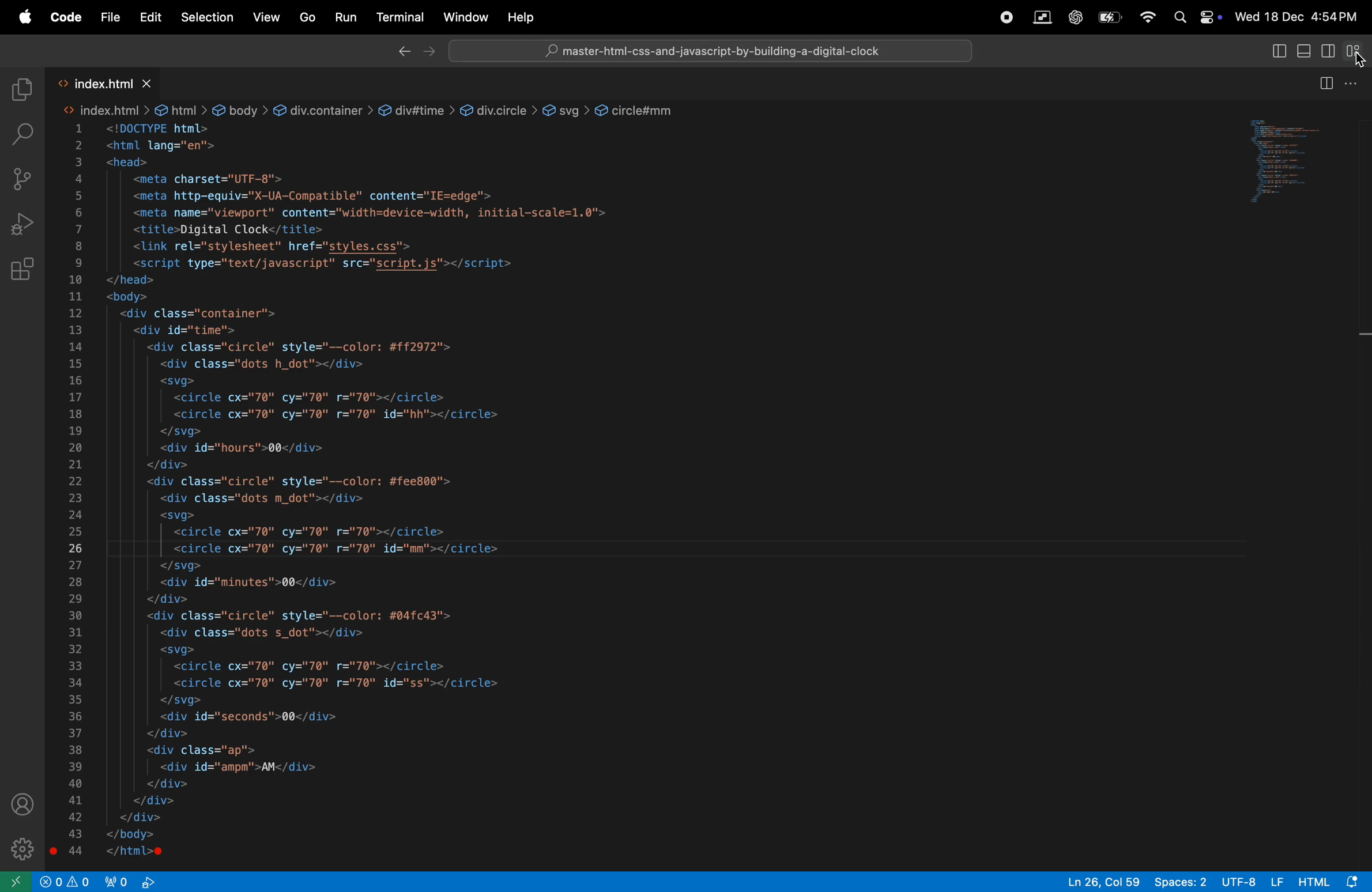  What do you see at coordinates (1146, 18) in the screenshot?
I see `wifi` at bounding box center [1146, 18].